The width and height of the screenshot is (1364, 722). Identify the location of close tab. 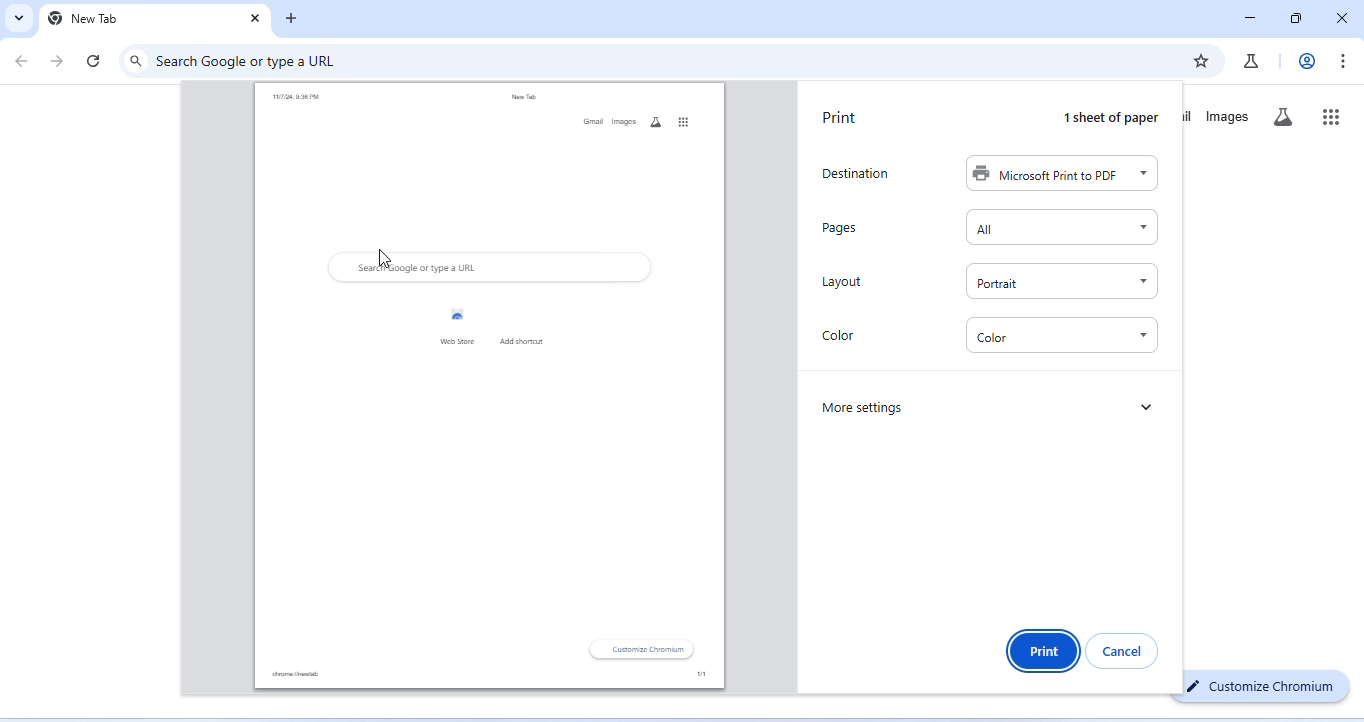
(256, 19).